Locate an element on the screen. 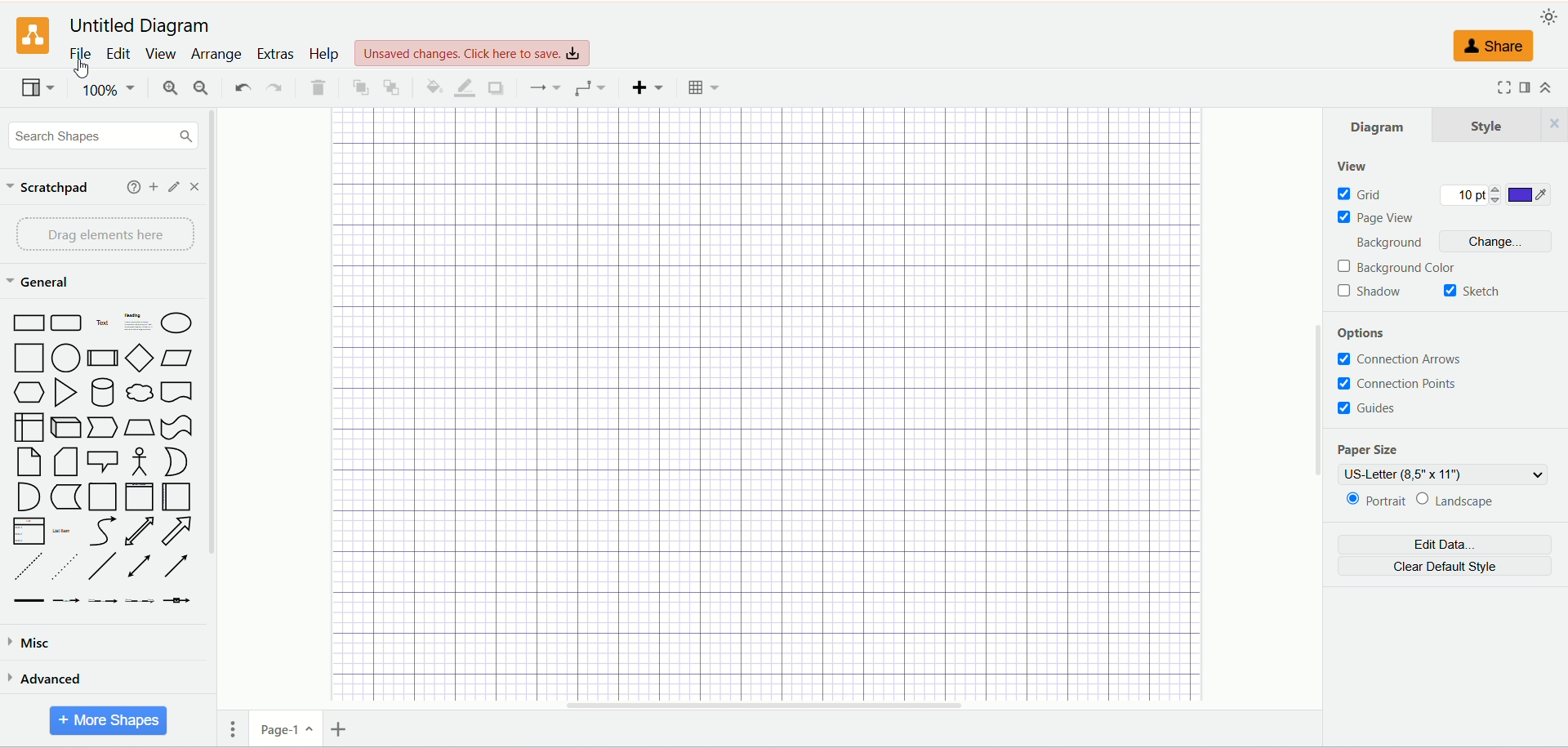 This screenshot has width=1568, height=748. And is located at coordinates (26, 496).